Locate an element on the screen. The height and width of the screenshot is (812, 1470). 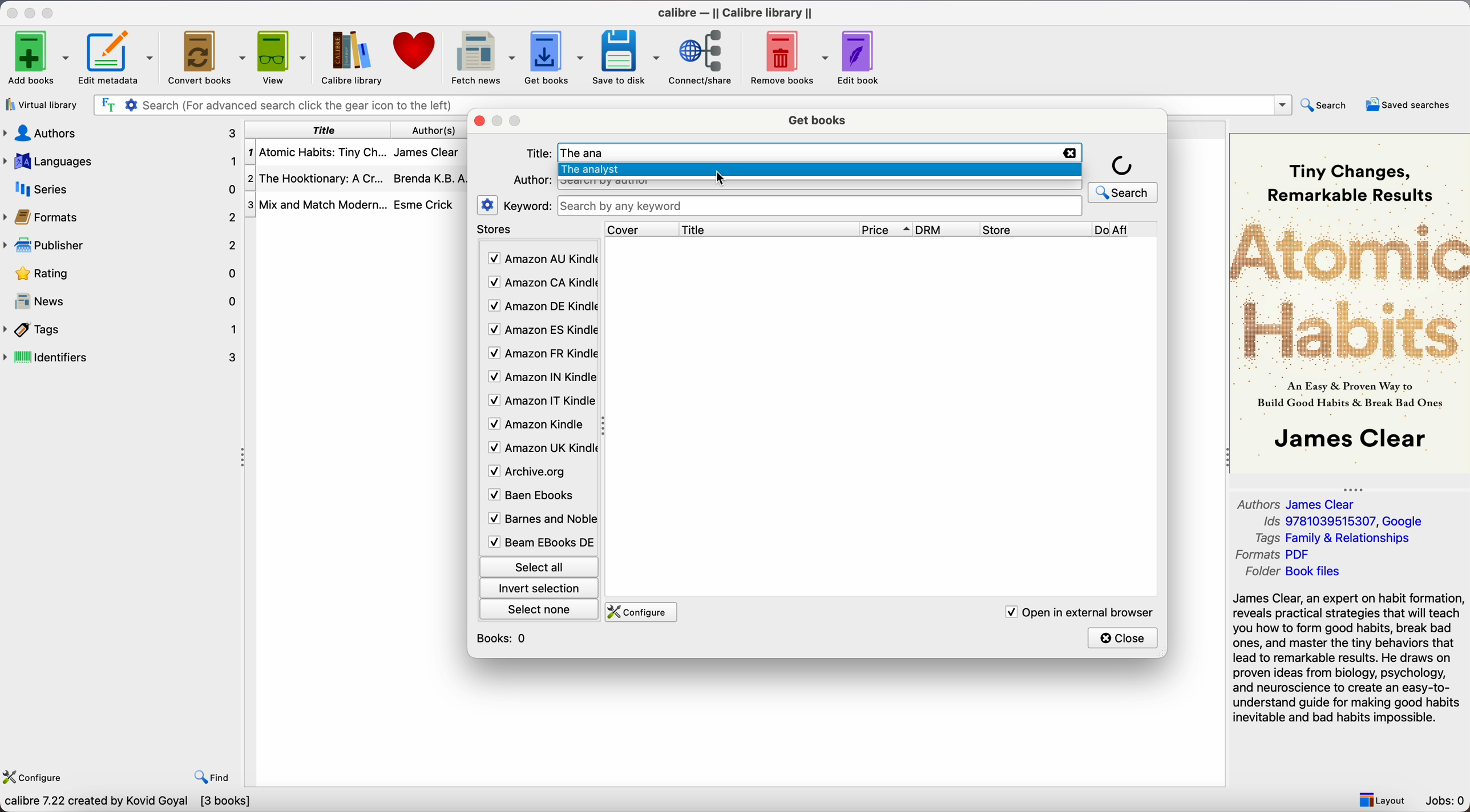
close app is located at coordinates (11, 12).